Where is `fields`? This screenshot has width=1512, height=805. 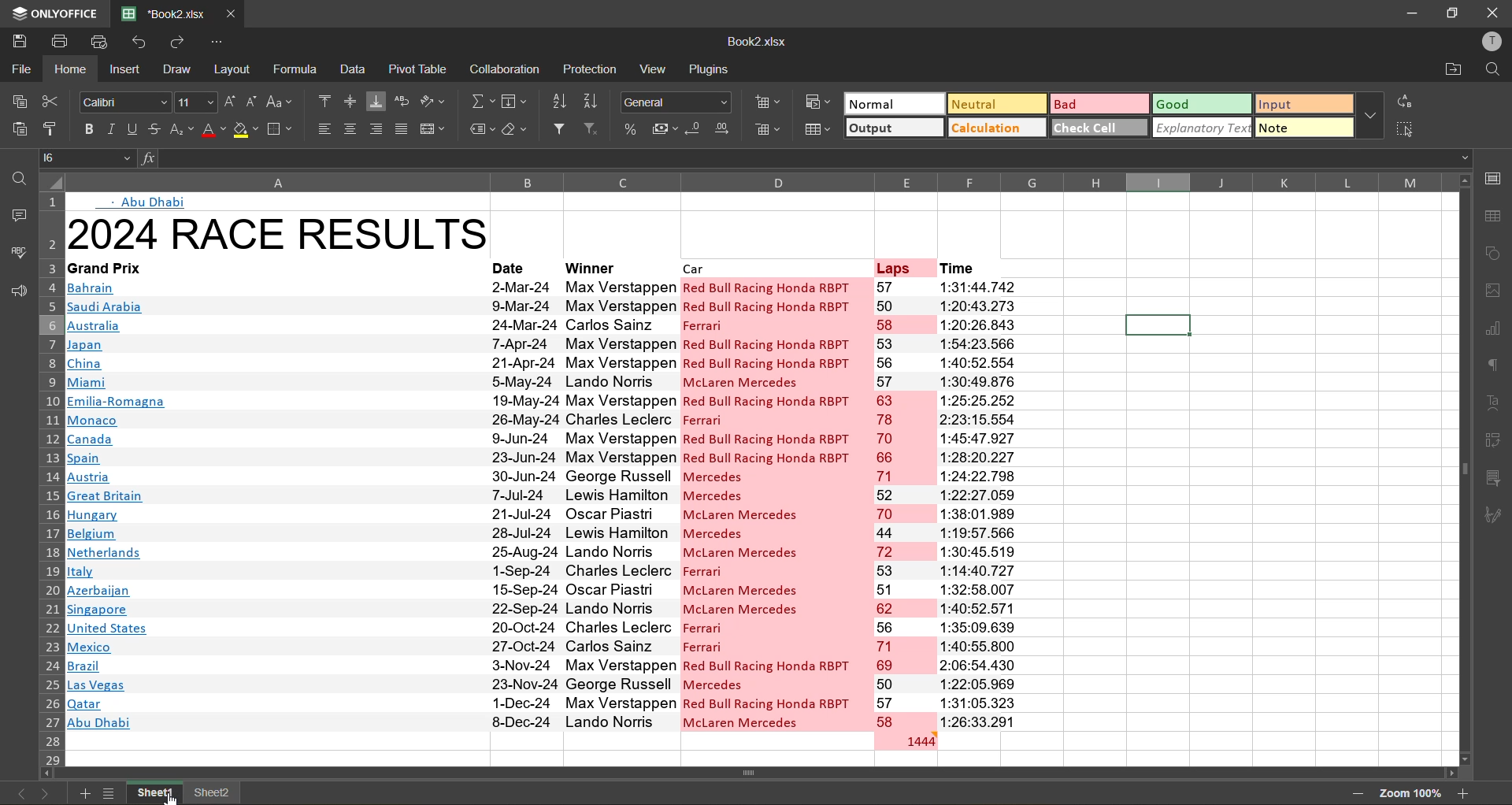
fields is located at coordinates (518, 100).